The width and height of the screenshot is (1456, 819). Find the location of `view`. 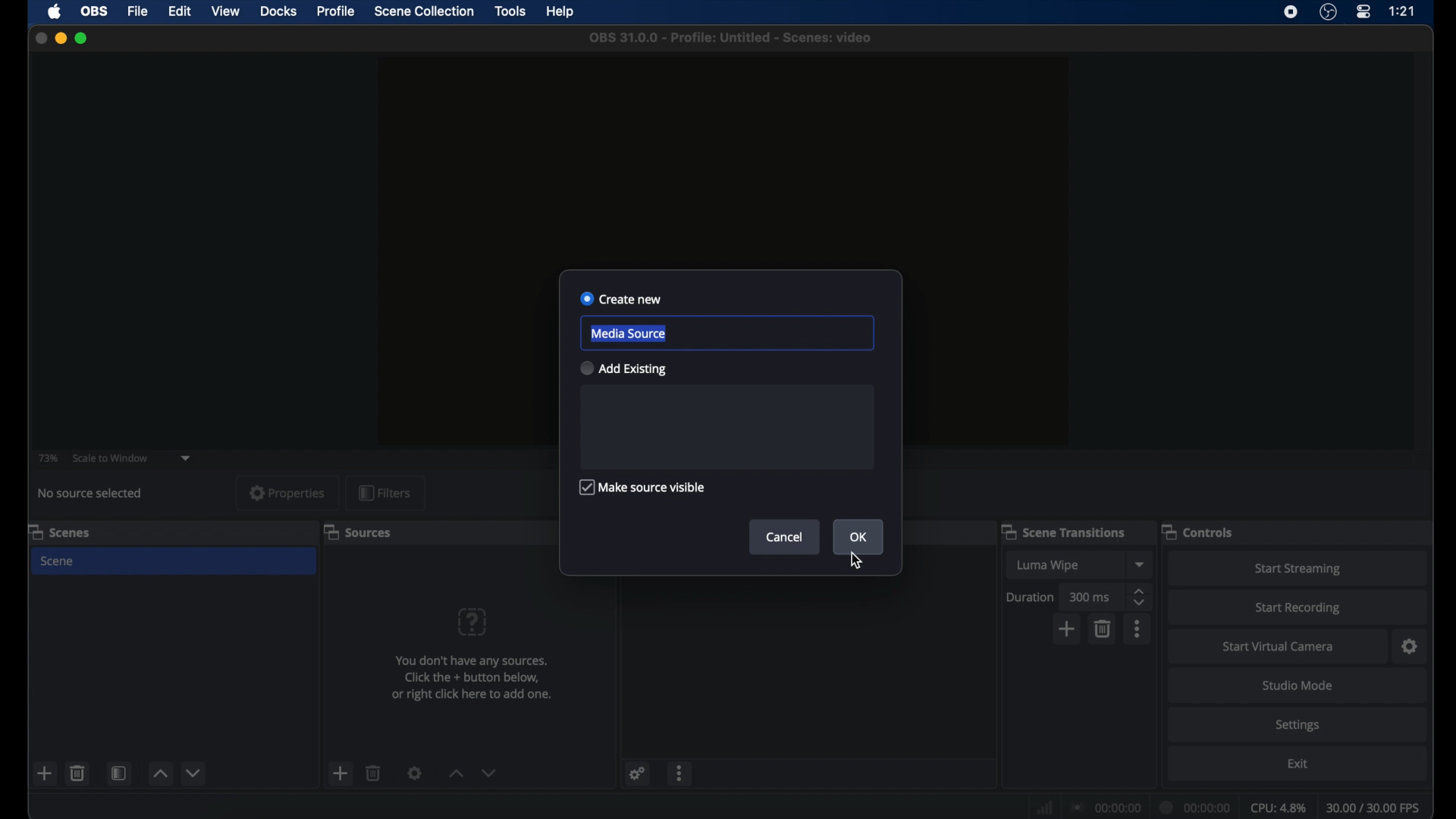

view is located at coordinates (227, 12).